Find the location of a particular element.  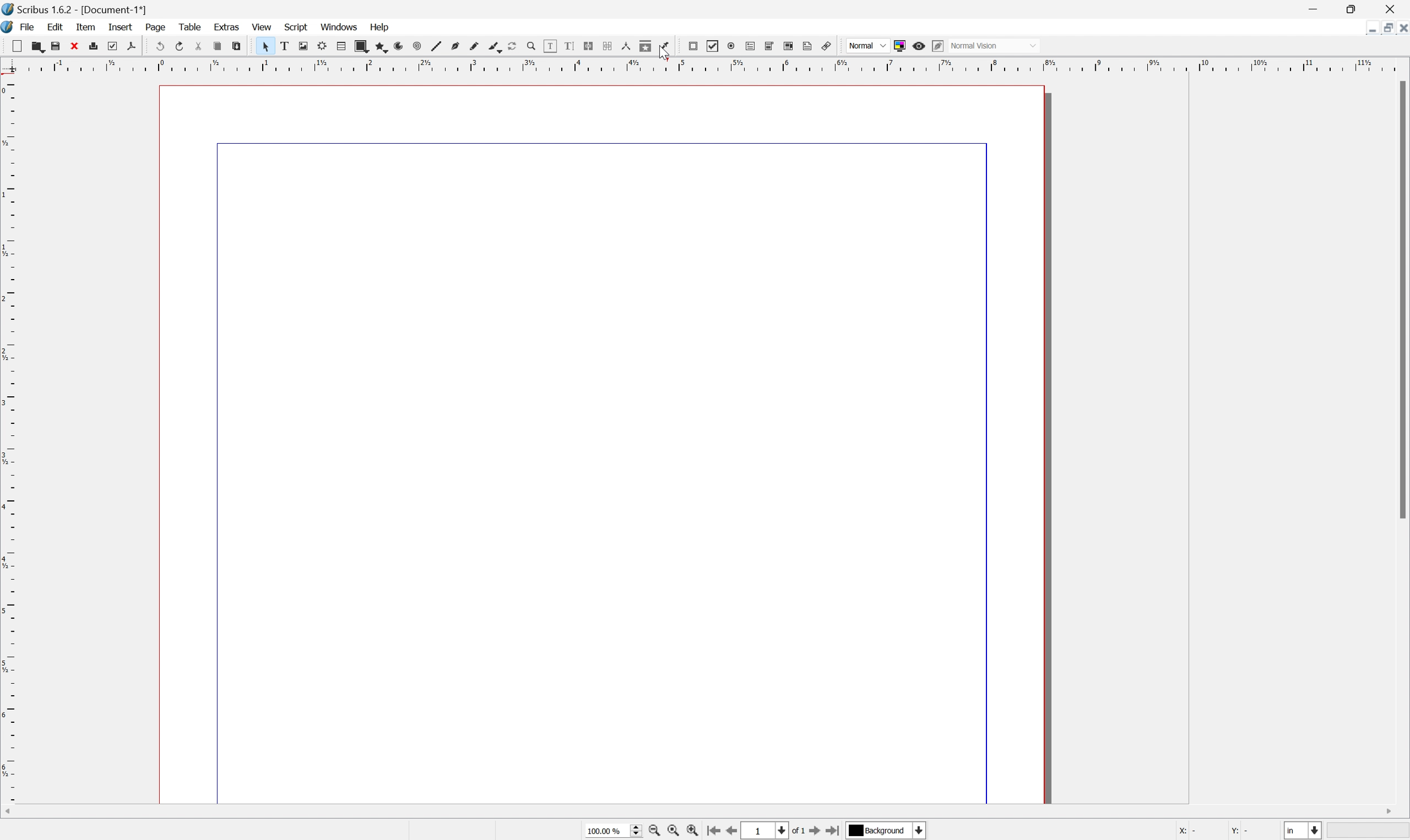

PDF text field is located at coordinates (750, 46).